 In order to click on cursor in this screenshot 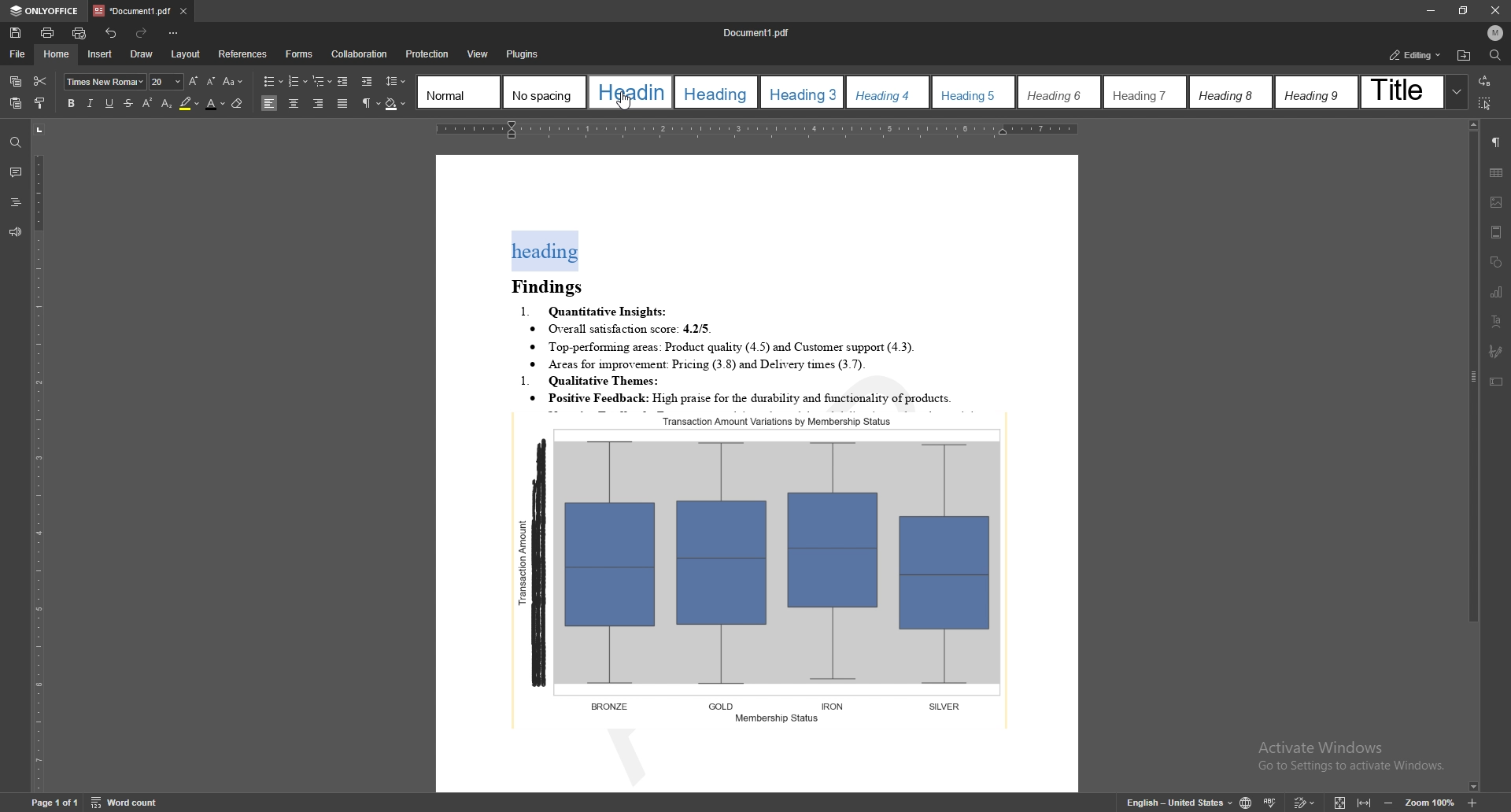, I will do `click(626, 105)`.